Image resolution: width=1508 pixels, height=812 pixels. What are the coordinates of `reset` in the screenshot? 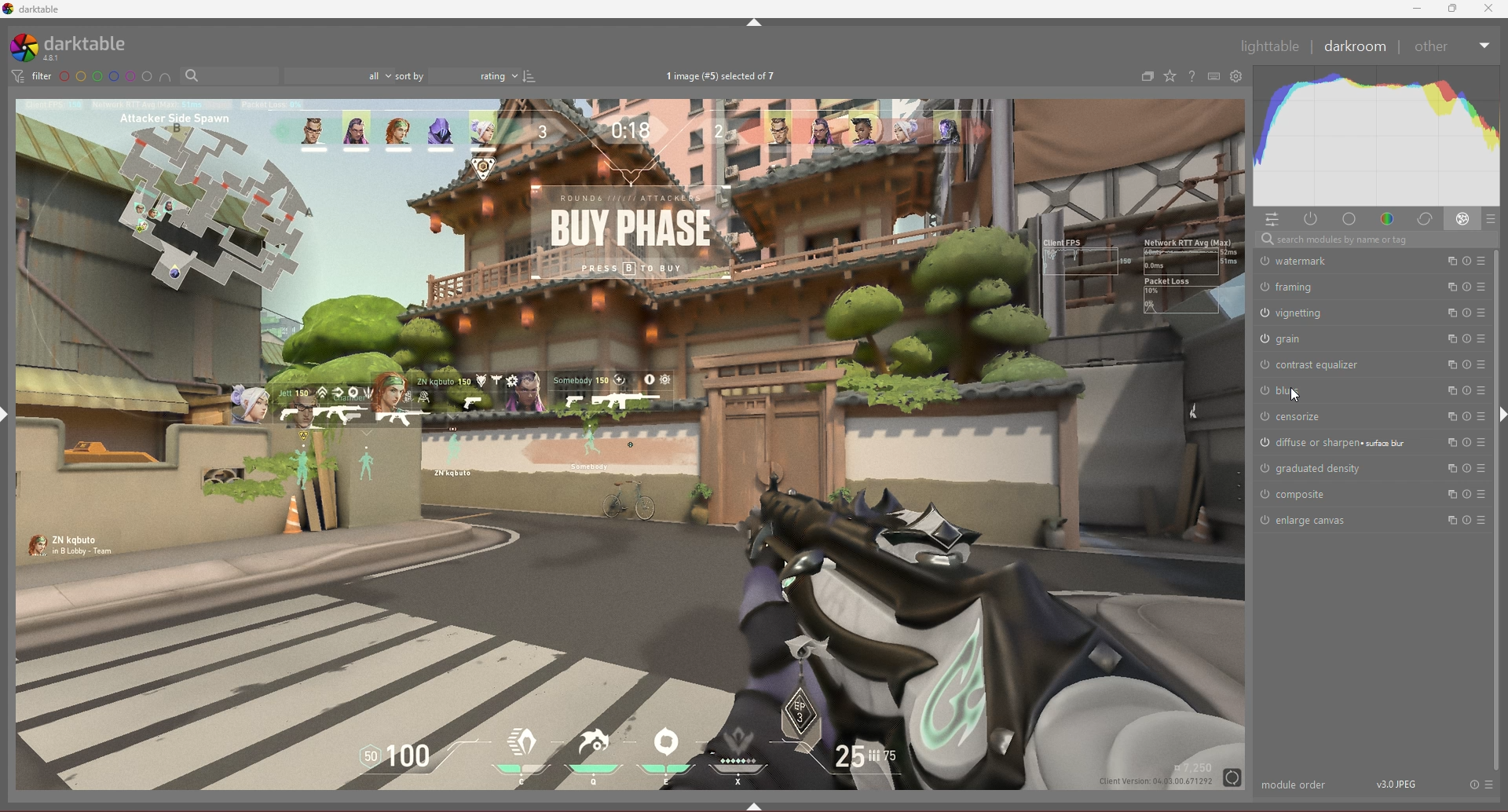 It's located at (1466, 494).